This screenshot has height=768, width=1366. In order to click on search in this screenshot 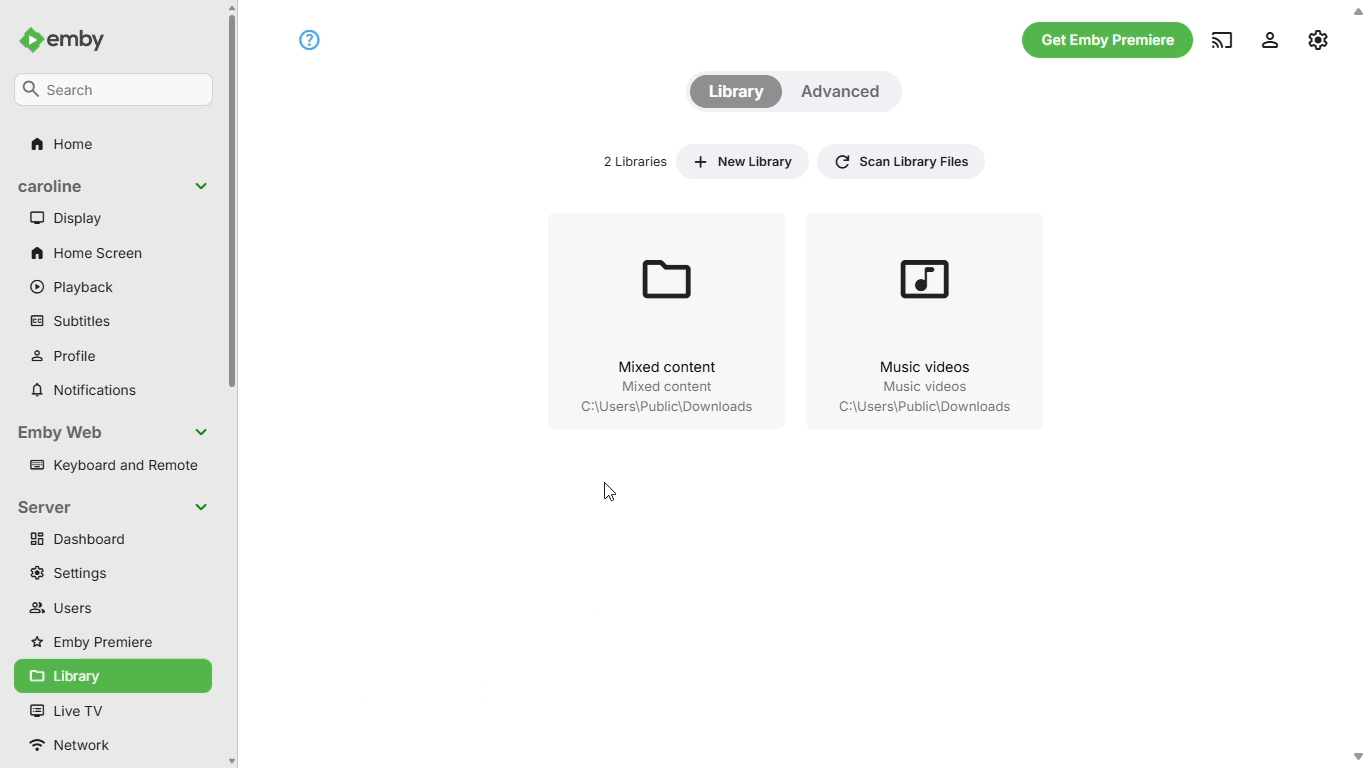, I will do `click(114, 89)`.